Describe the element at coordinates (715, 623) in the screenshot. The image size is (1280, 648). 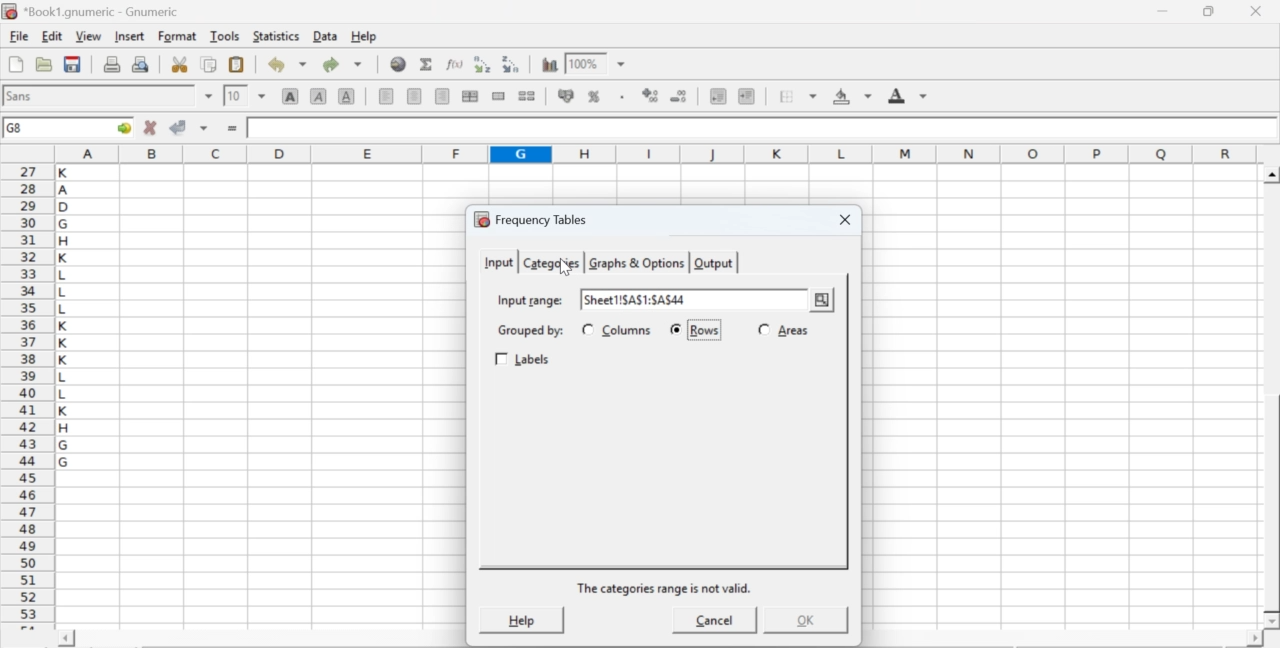
I see `cancel` at that location.